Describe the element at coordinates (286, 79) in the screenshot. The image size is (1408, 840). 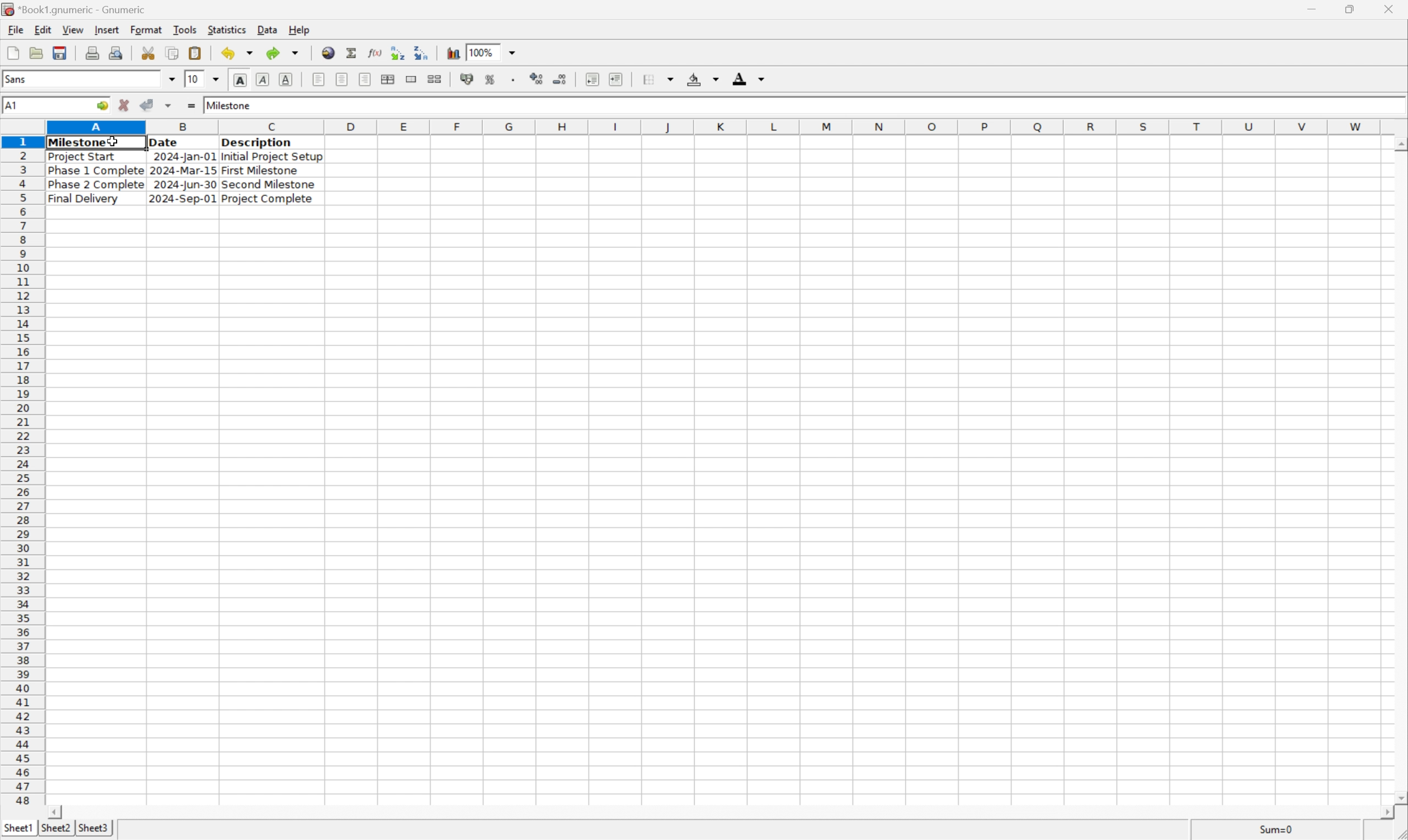
I see `underline` at that location.